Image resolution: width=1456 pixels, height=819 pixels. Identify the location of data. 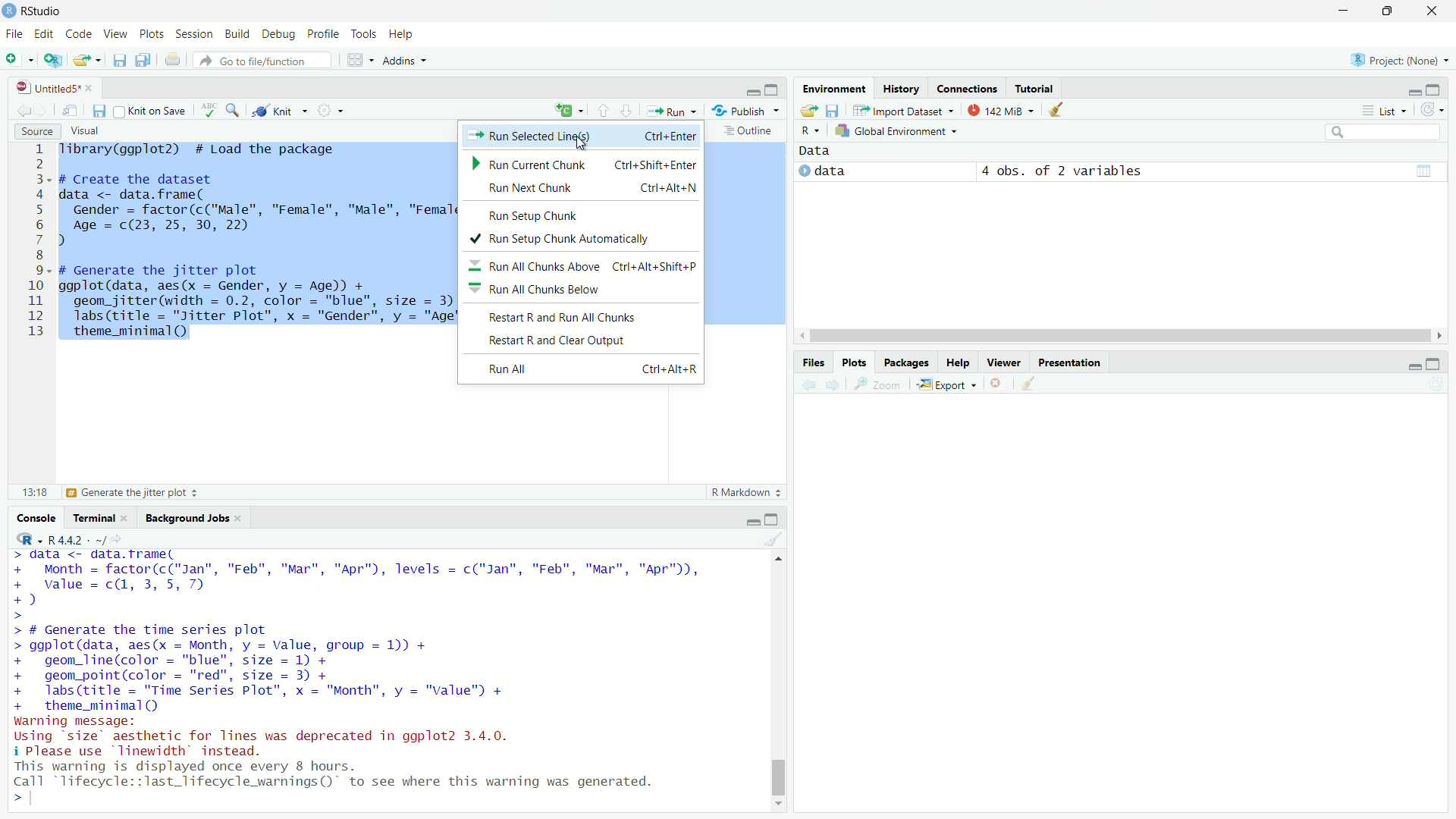
(839, 171).